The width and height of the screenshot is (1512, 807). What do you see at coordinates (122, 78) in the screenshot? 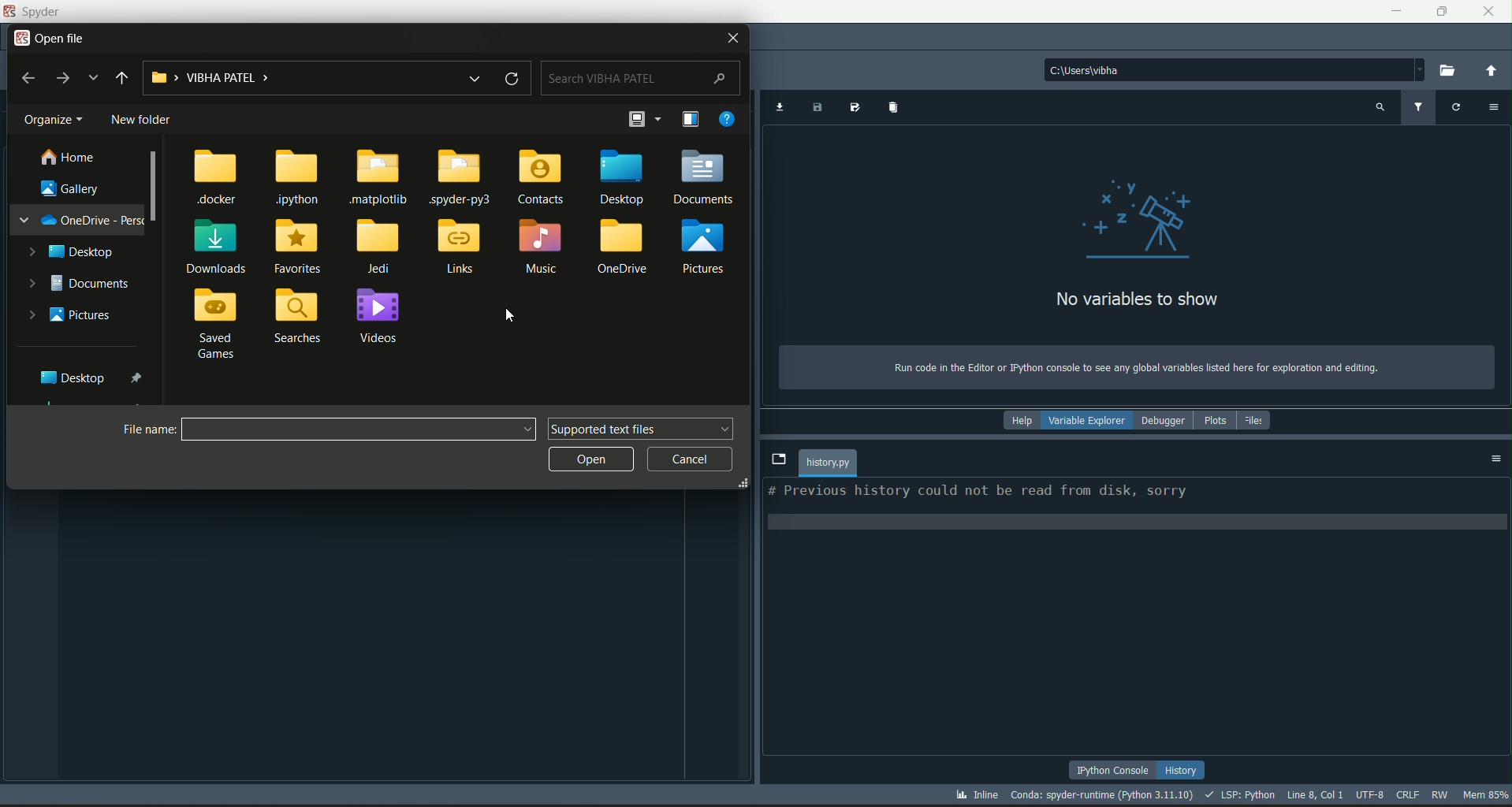
I see `upto desktop` at bounding box center [122, 78].